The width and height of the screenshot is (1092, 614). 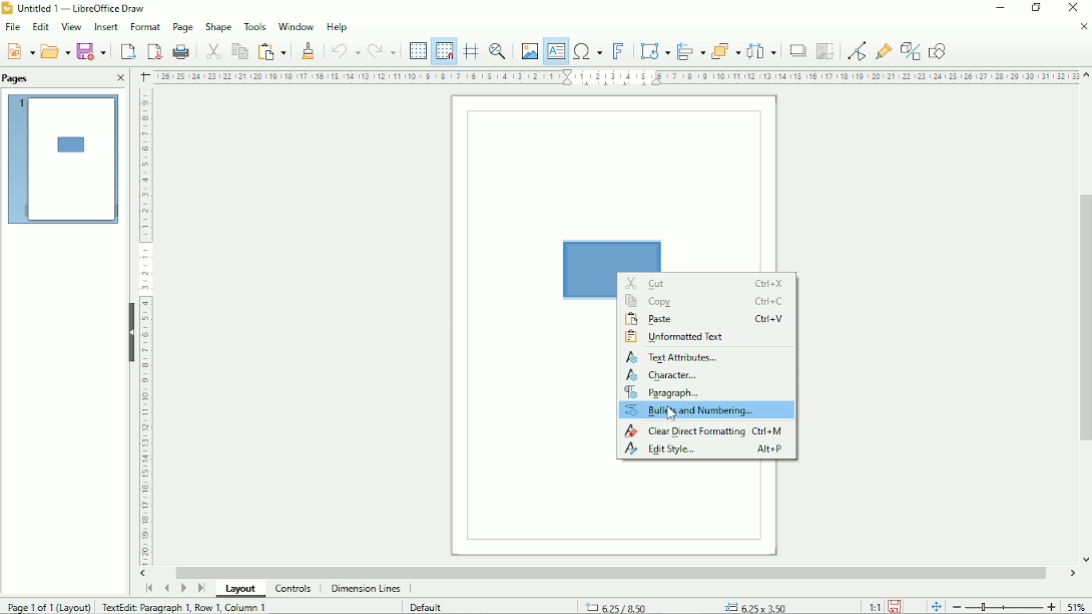 What do you see at coordinates (185, 607) in the screenshot?
I see `TextEdit:  Paragraph 1, Row 1, Column 1` at bounding box center [185, 607].